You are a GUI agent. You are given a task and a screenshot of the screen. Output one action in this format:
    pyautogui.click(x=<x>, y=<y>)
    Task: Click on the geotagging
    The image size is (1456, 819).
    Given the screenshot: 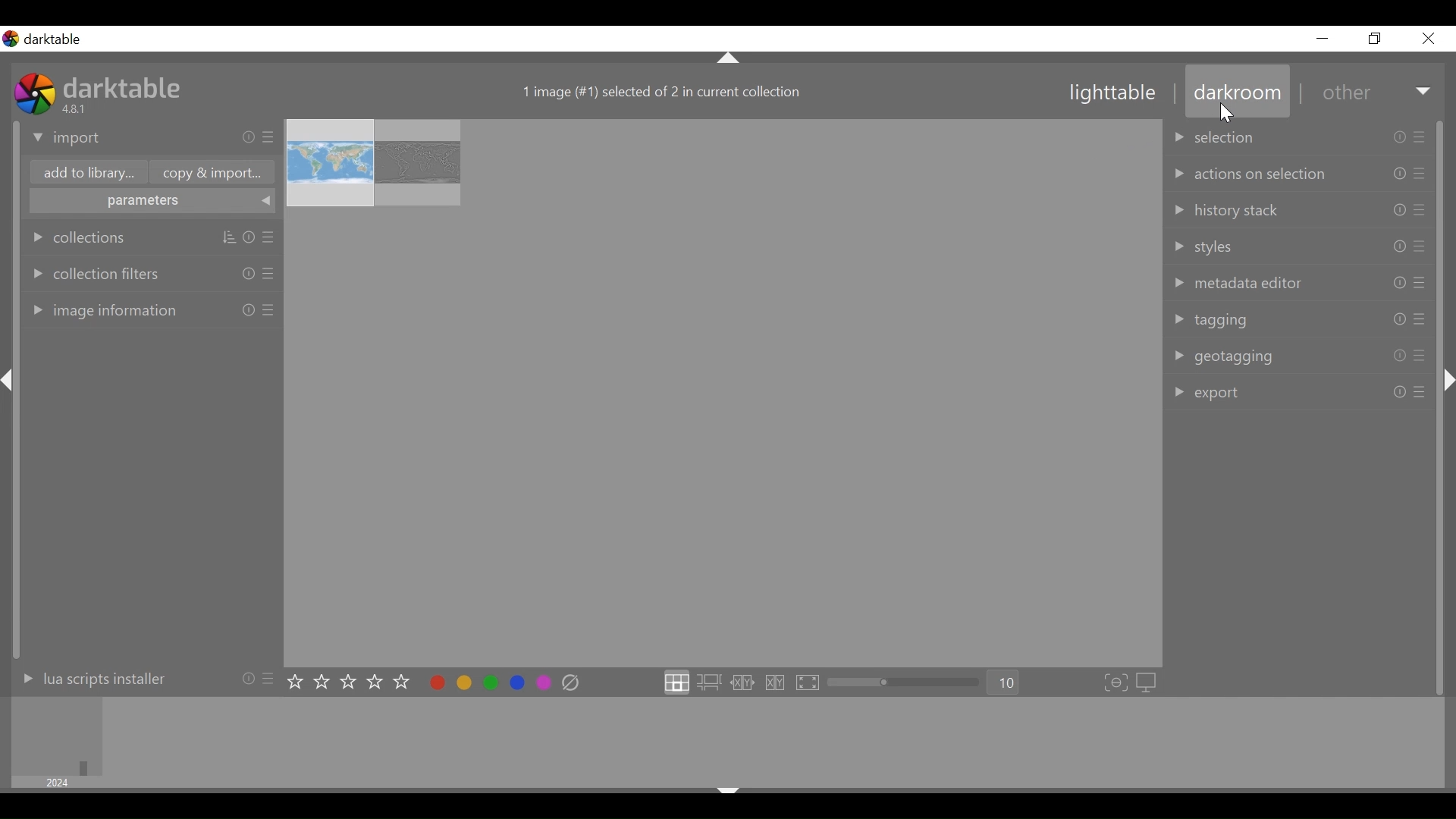 What is the action you would take?
    pyautogui.click(x=1303, y=359)
    